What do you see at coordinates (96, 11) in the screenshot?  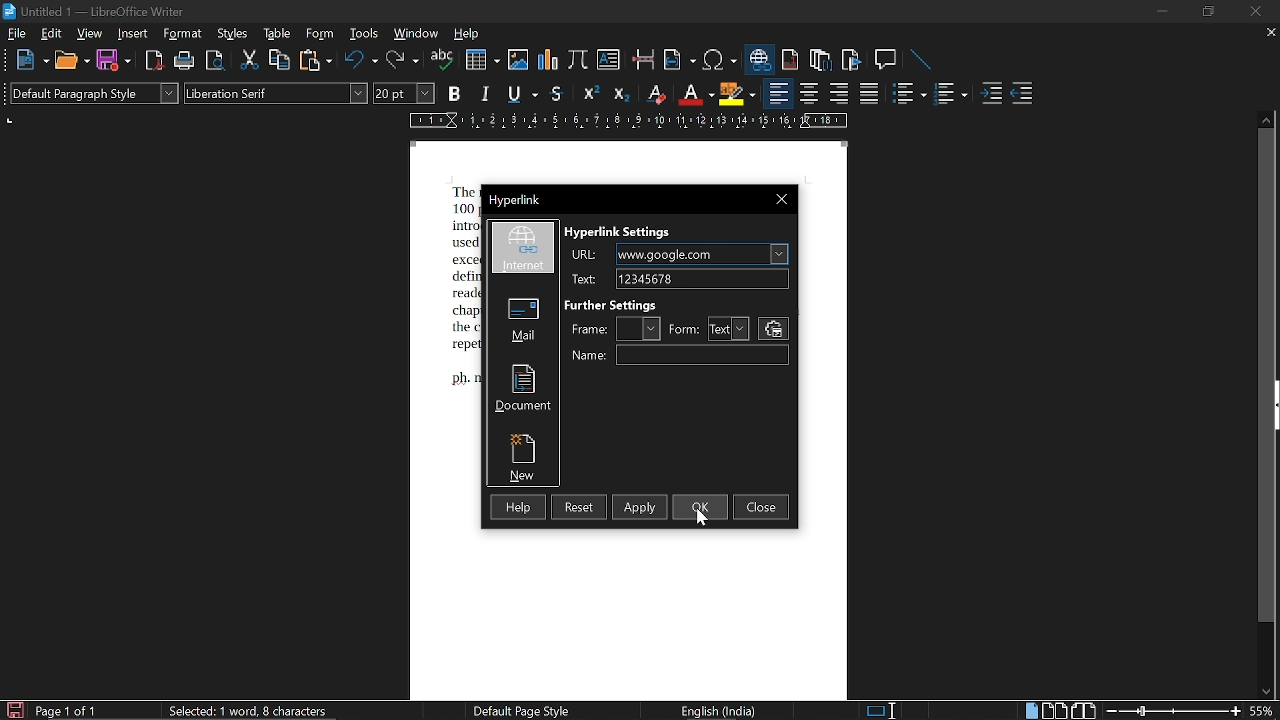 I see `Untitled 1- LibreOffice Writer` at bounding box center [96, 11].